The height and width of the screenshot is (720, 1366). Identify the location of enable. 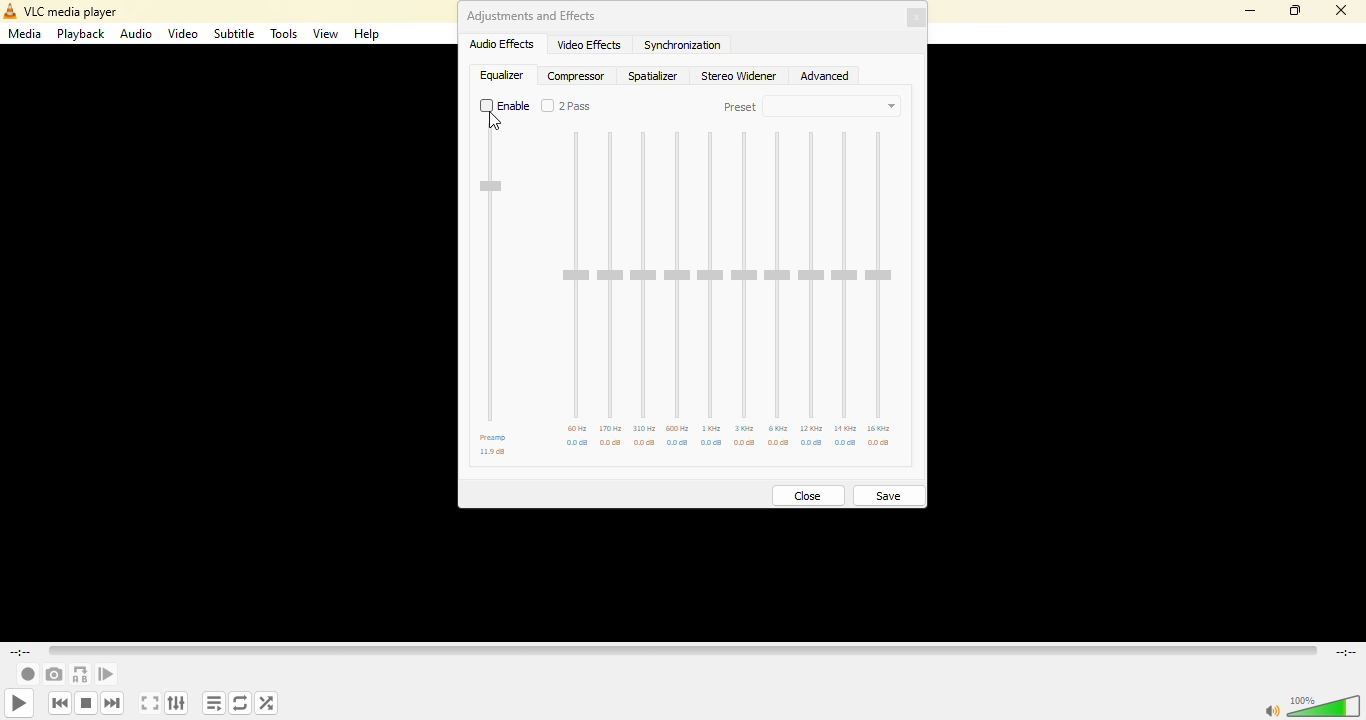
(506, 107).